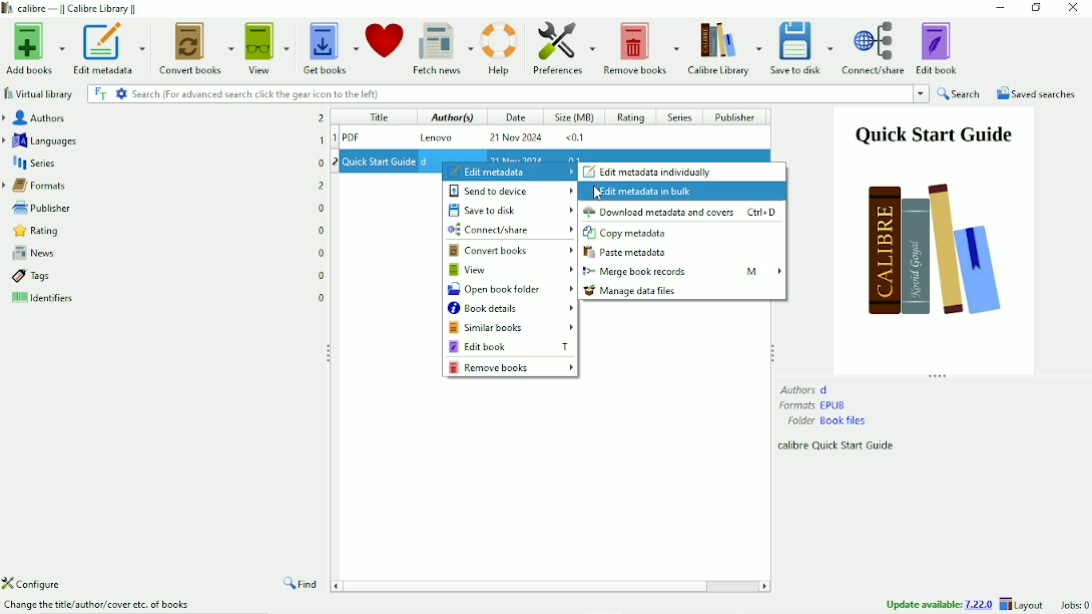  Describe the element at coordinates (647, 192) in the screenshot. I see `Edit metadata in bulk` at that location.